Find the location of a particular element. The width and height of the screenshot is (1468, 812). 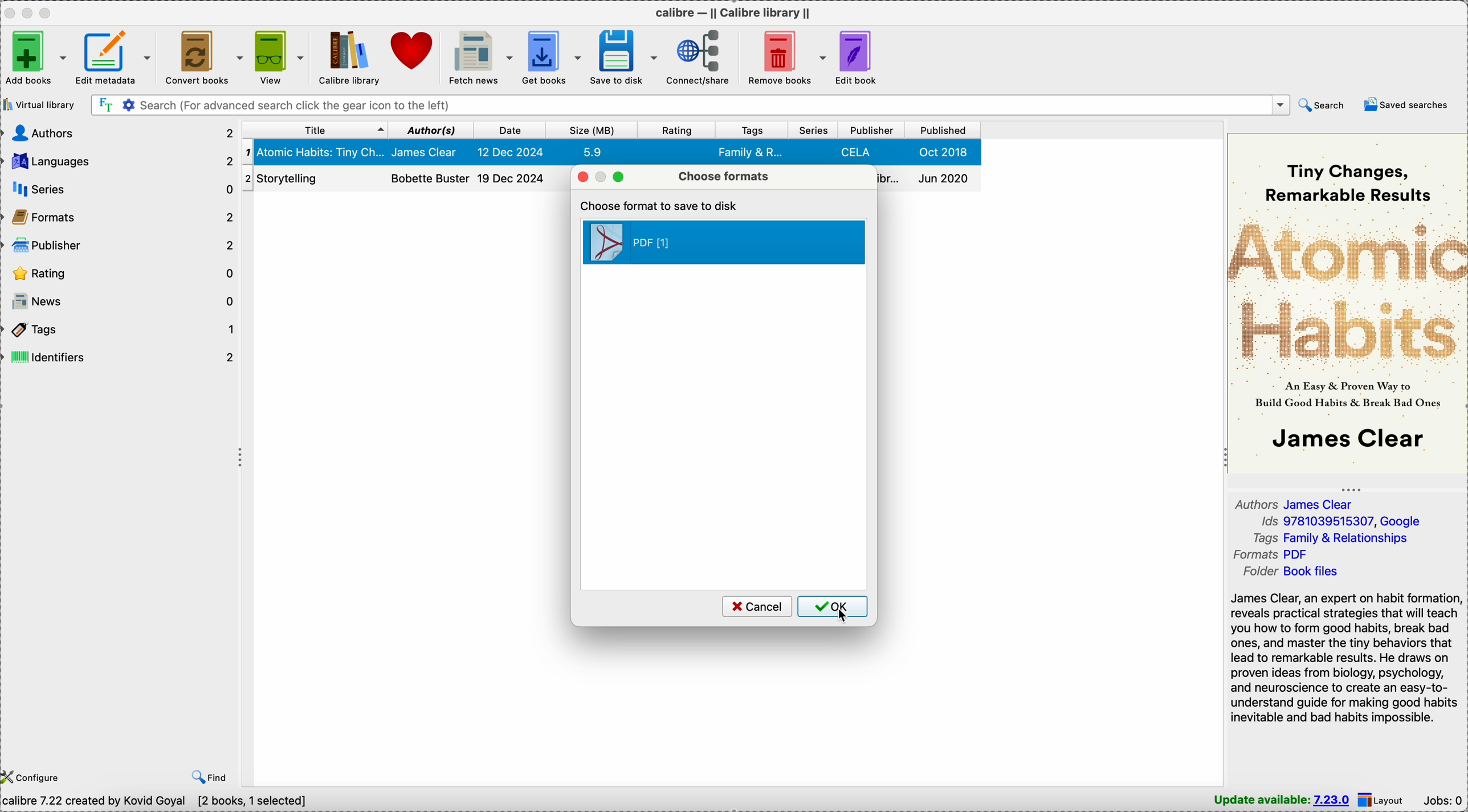

update available: 7.23.0 is located at coordinates (1283, 801).